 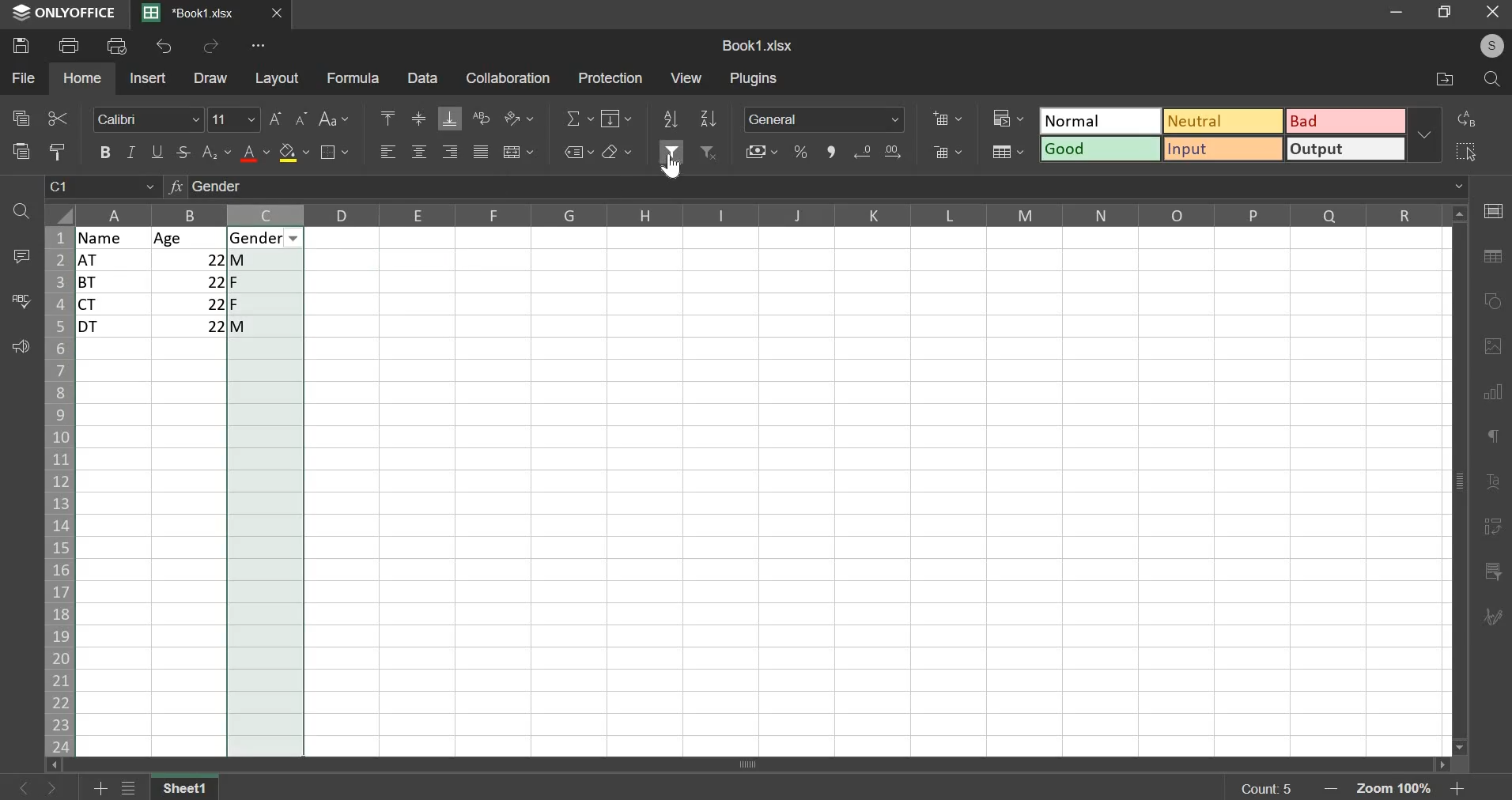 I want to click on closes, so click(x=278, y=13).